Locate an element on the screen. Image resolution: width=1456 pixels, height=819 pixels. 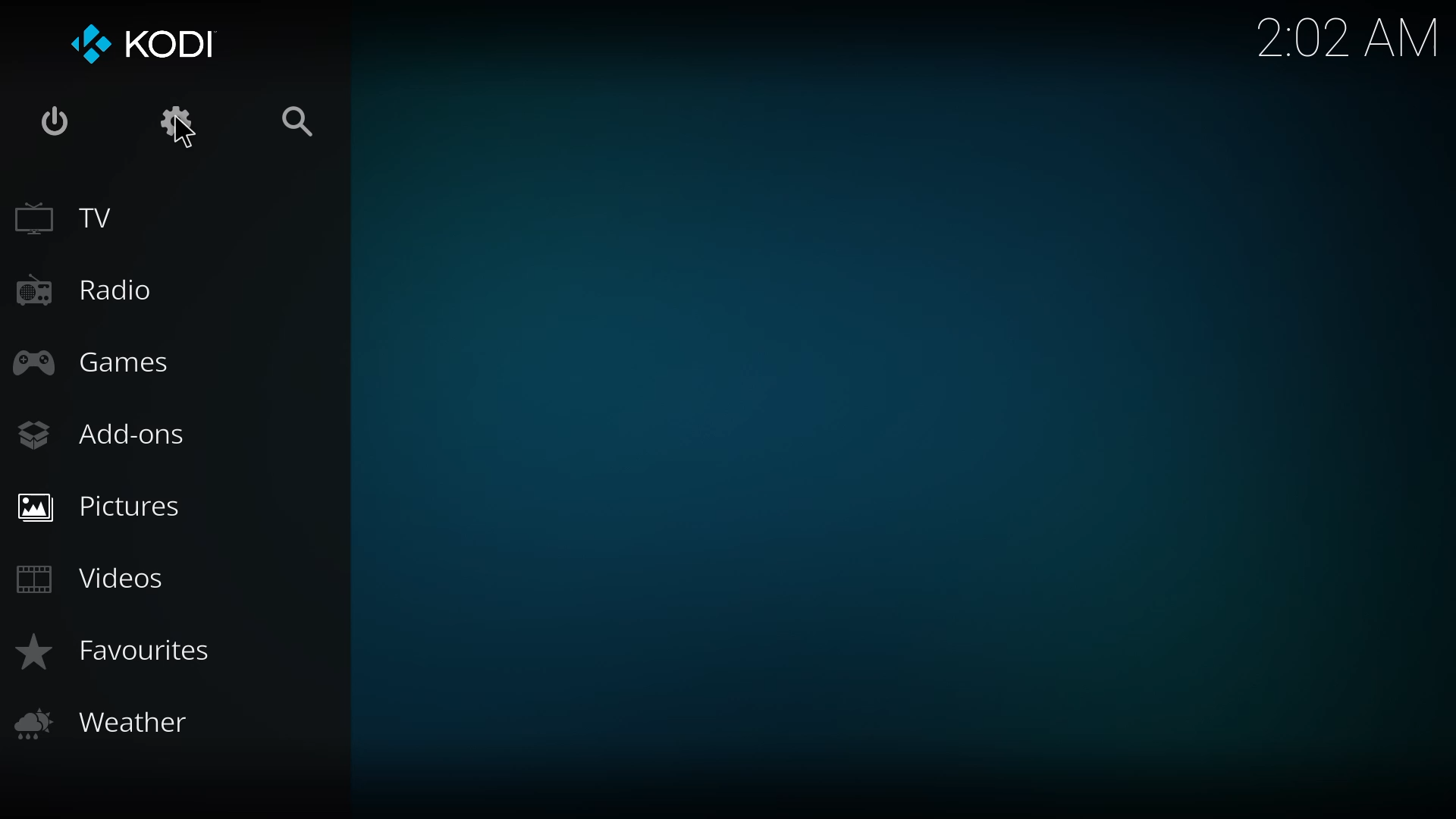
weather is located at coordinates (112, 726).